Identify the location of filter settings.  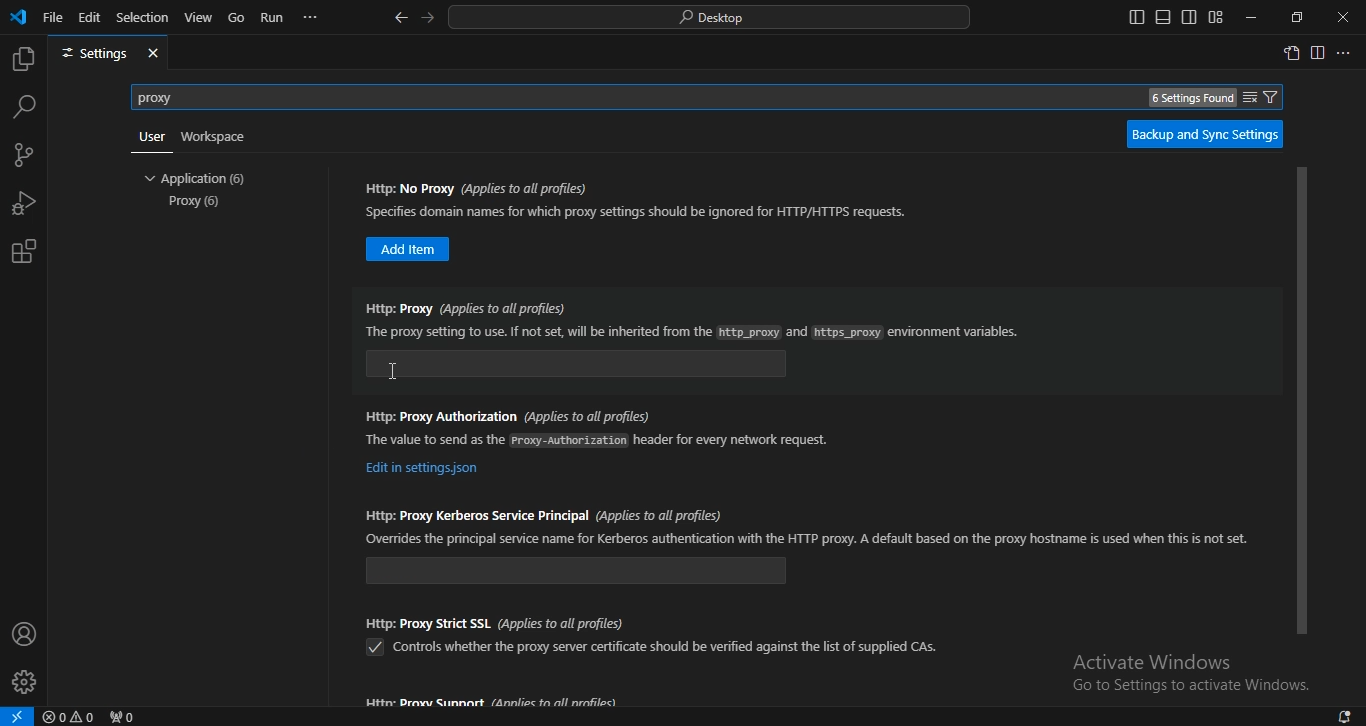
(1275, 97).